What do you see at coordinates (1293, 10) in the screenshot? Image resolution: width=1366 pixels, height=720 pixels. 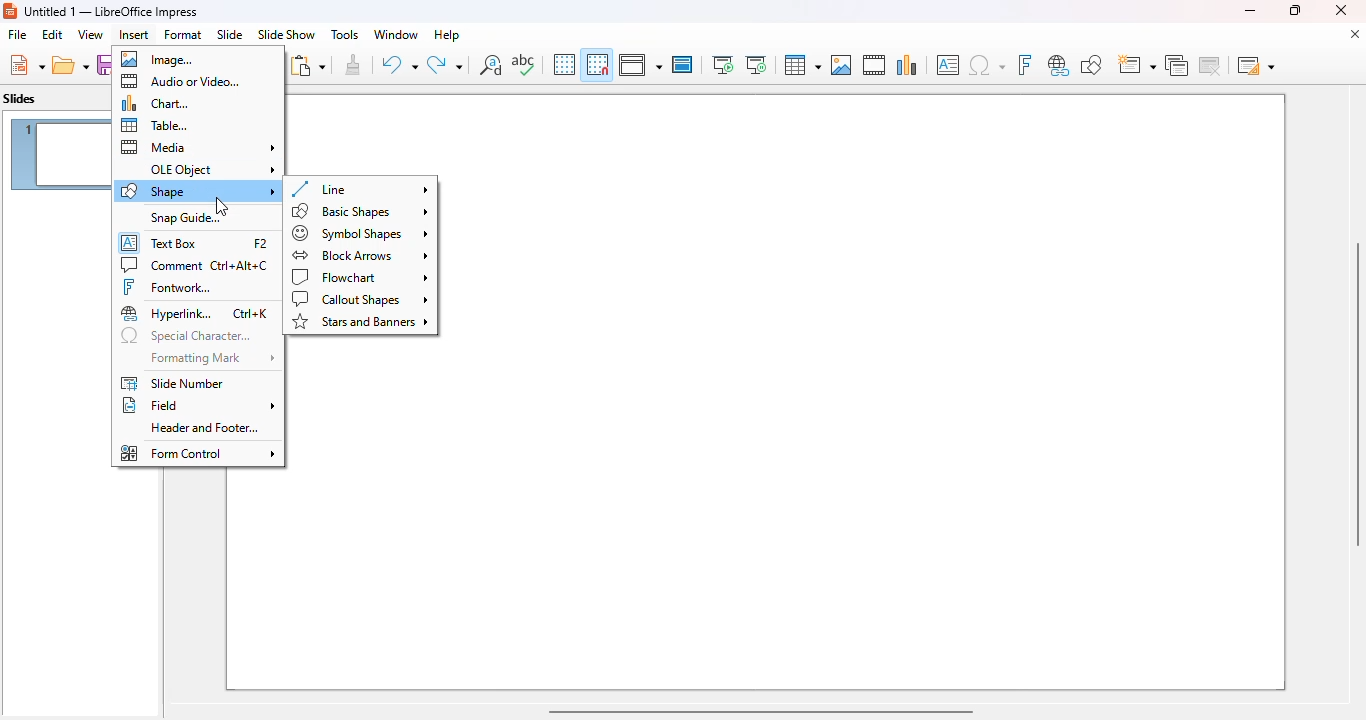 I see `maximize` at bounding box center [1293, 10].